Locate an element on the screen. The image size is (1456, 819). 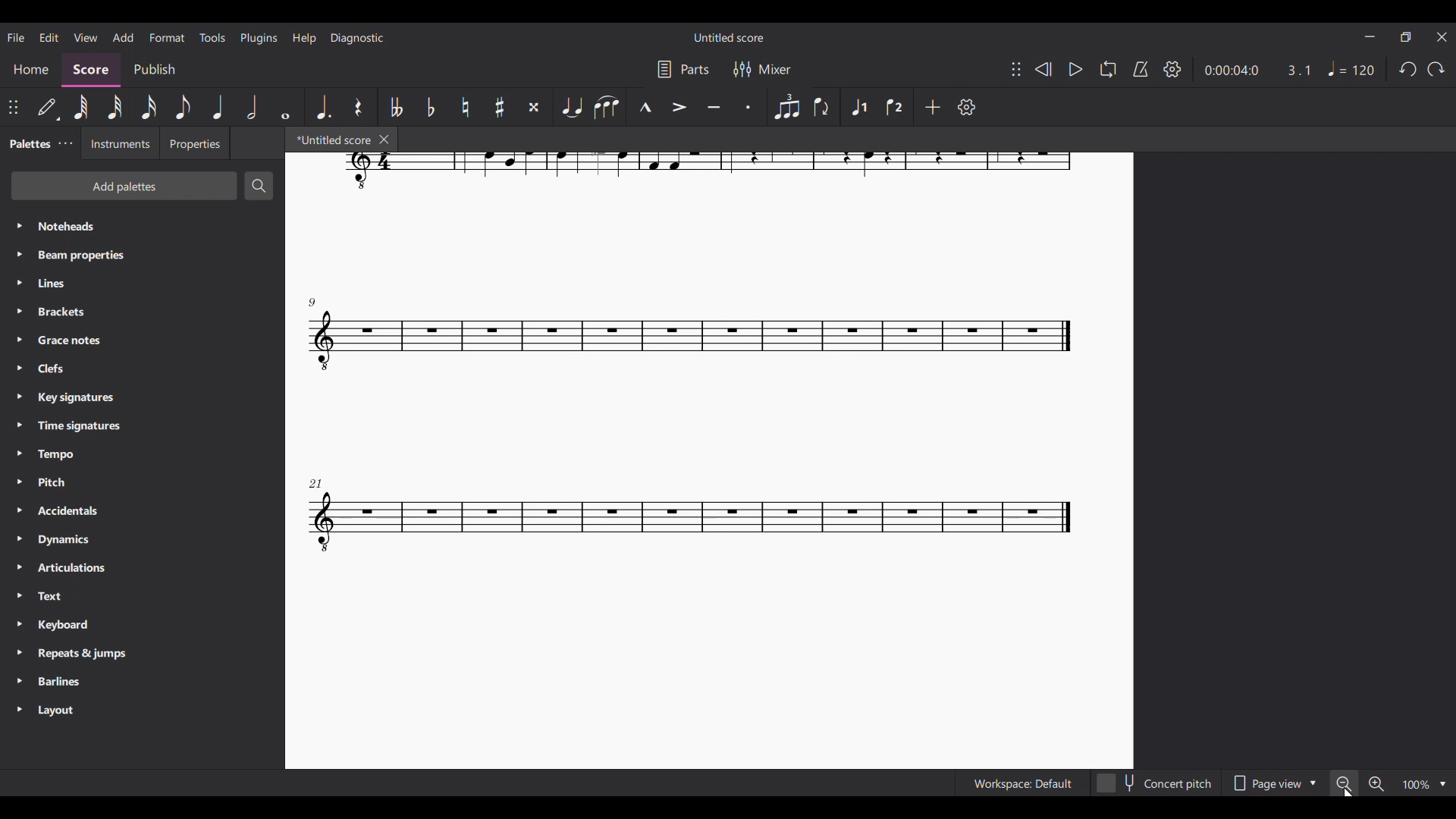
Repeats & jumps is located at coordinates (143, 653).